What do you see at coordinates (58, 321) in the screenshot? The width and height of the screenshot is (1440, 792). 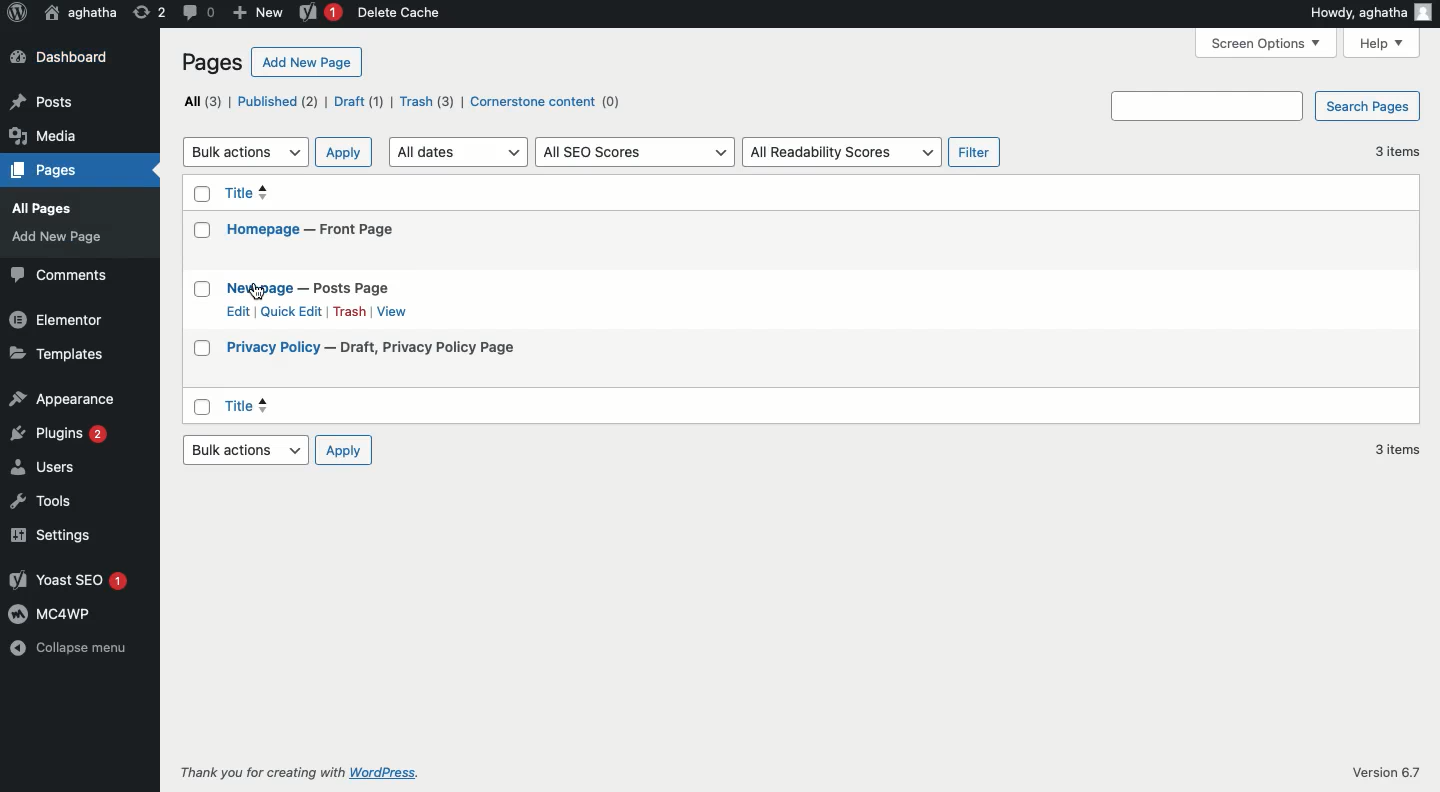 I see `Elementor` at bounding box center [58, 321].